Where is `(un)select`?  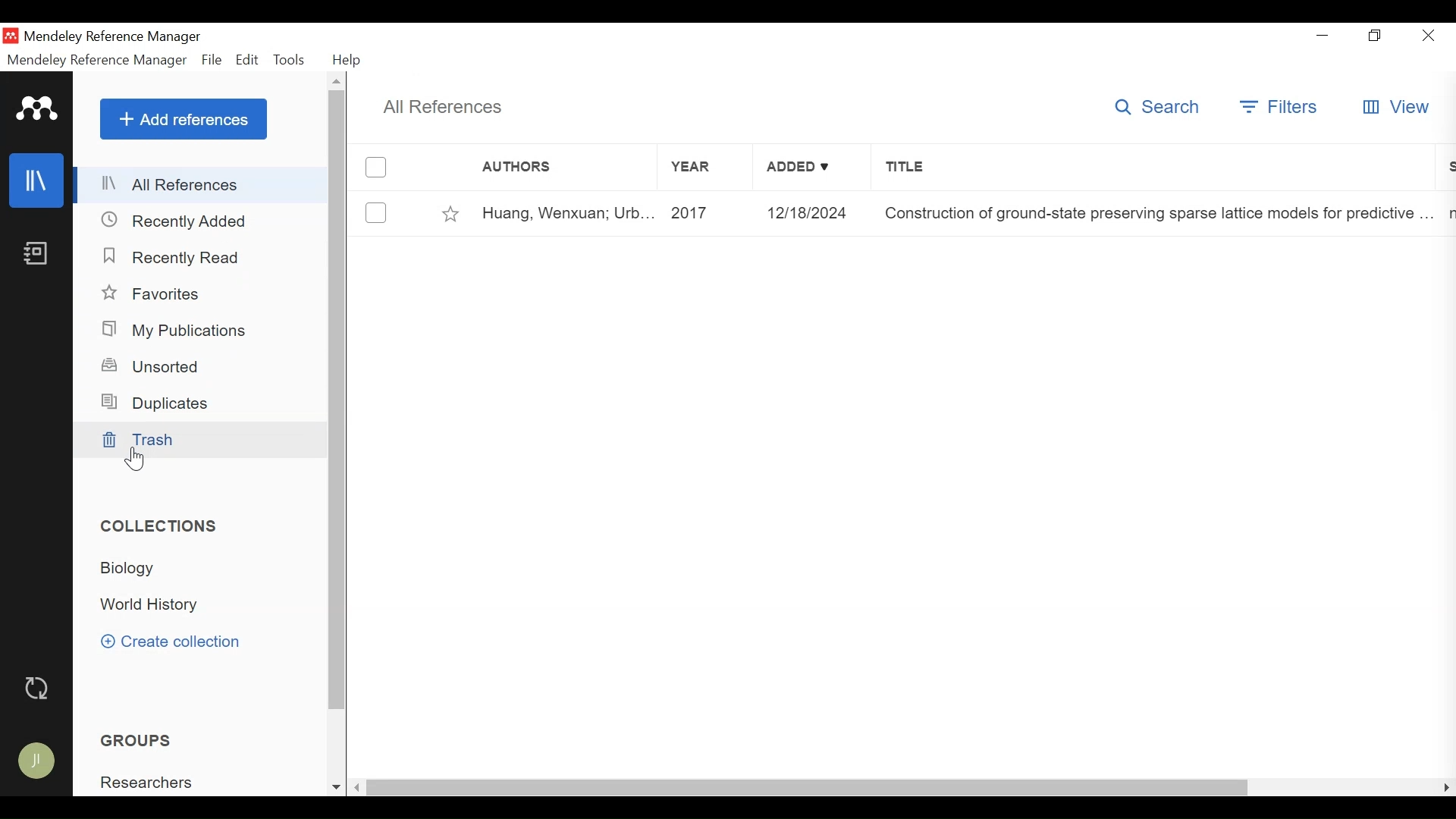 (un)select is located at coordinates (375, 214).